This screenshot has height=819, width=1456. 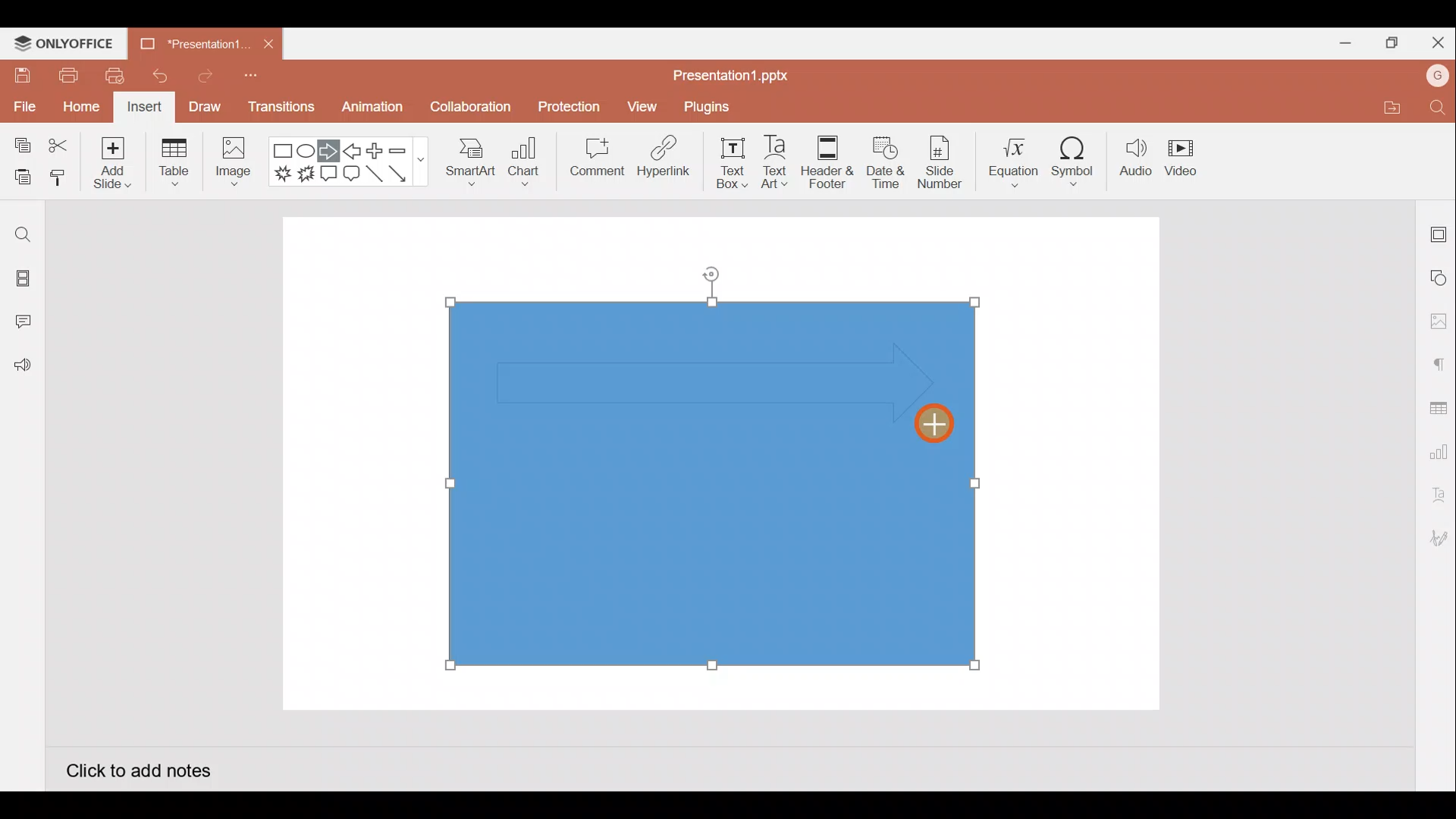 What do you see at coordinates (64, 43) in the screenshot?
I see `ONLYOFFICE` at bounding box center [64, 43].